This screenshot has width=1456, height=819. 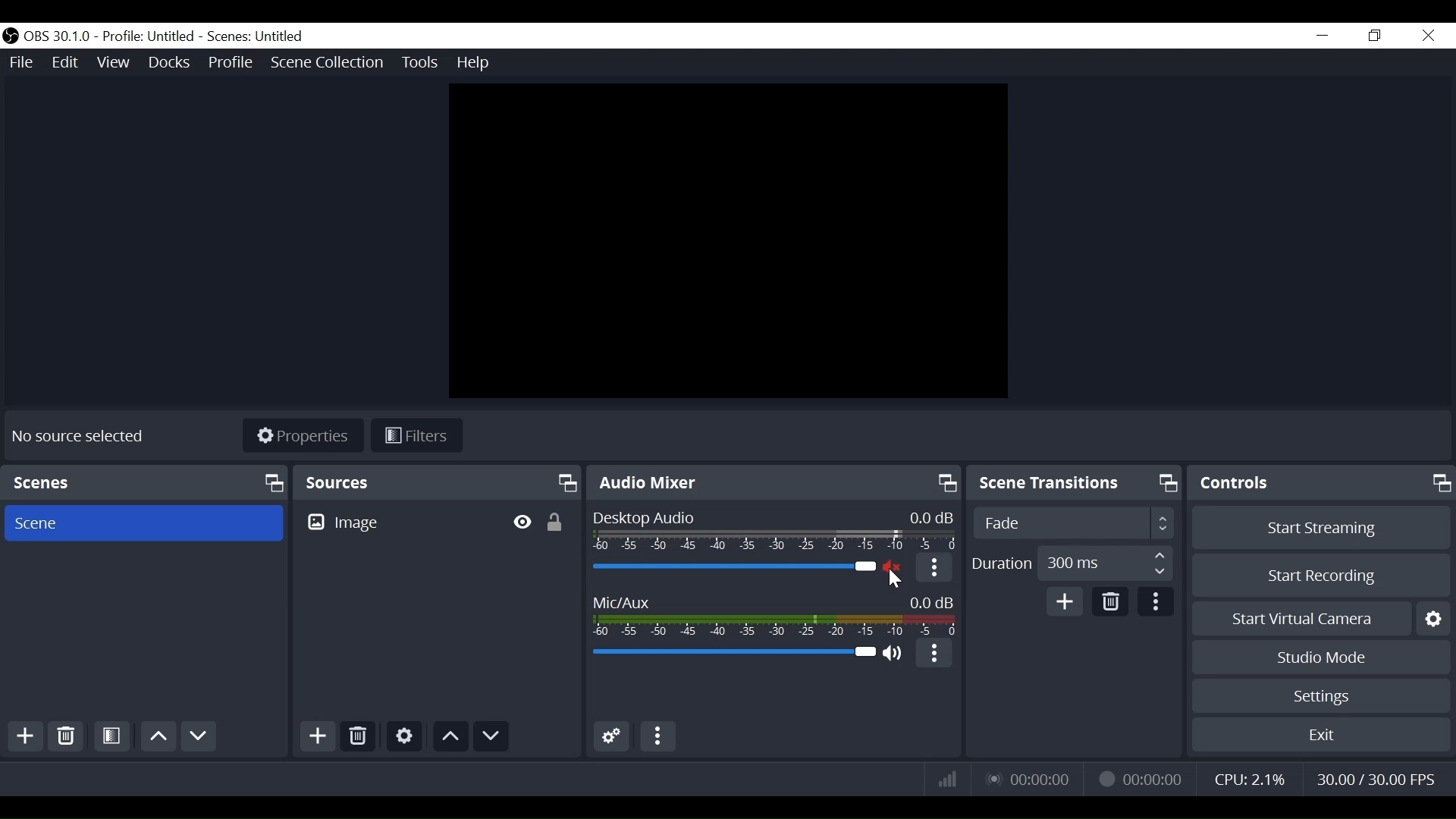 What do you see at coordinates (1321, 619) in the screenshot?
I see `Start Virtual Camera` at bounding box center [1321, 619].